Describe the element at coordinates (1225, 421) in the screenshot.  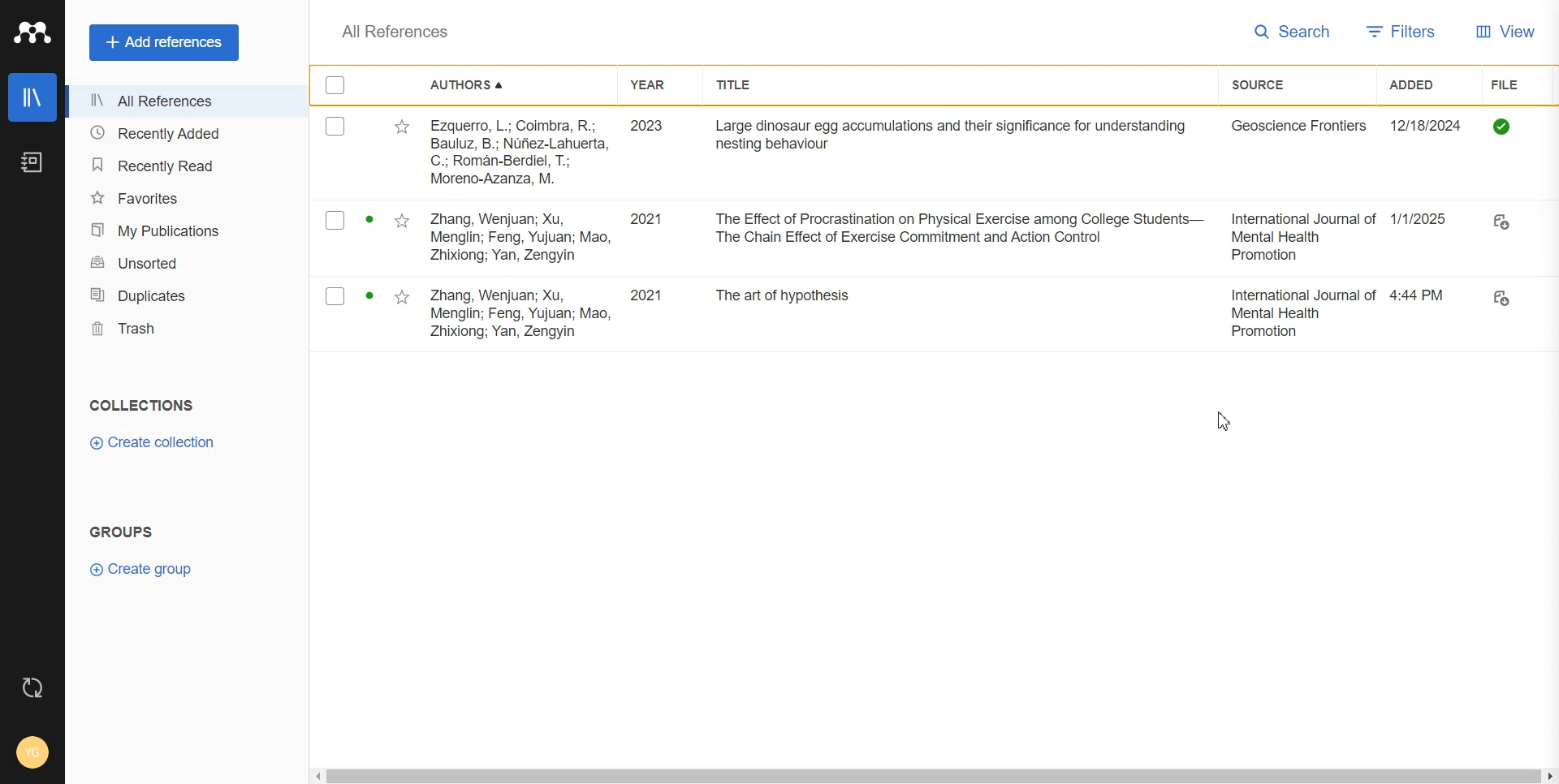
I see `Cursor` at that location.